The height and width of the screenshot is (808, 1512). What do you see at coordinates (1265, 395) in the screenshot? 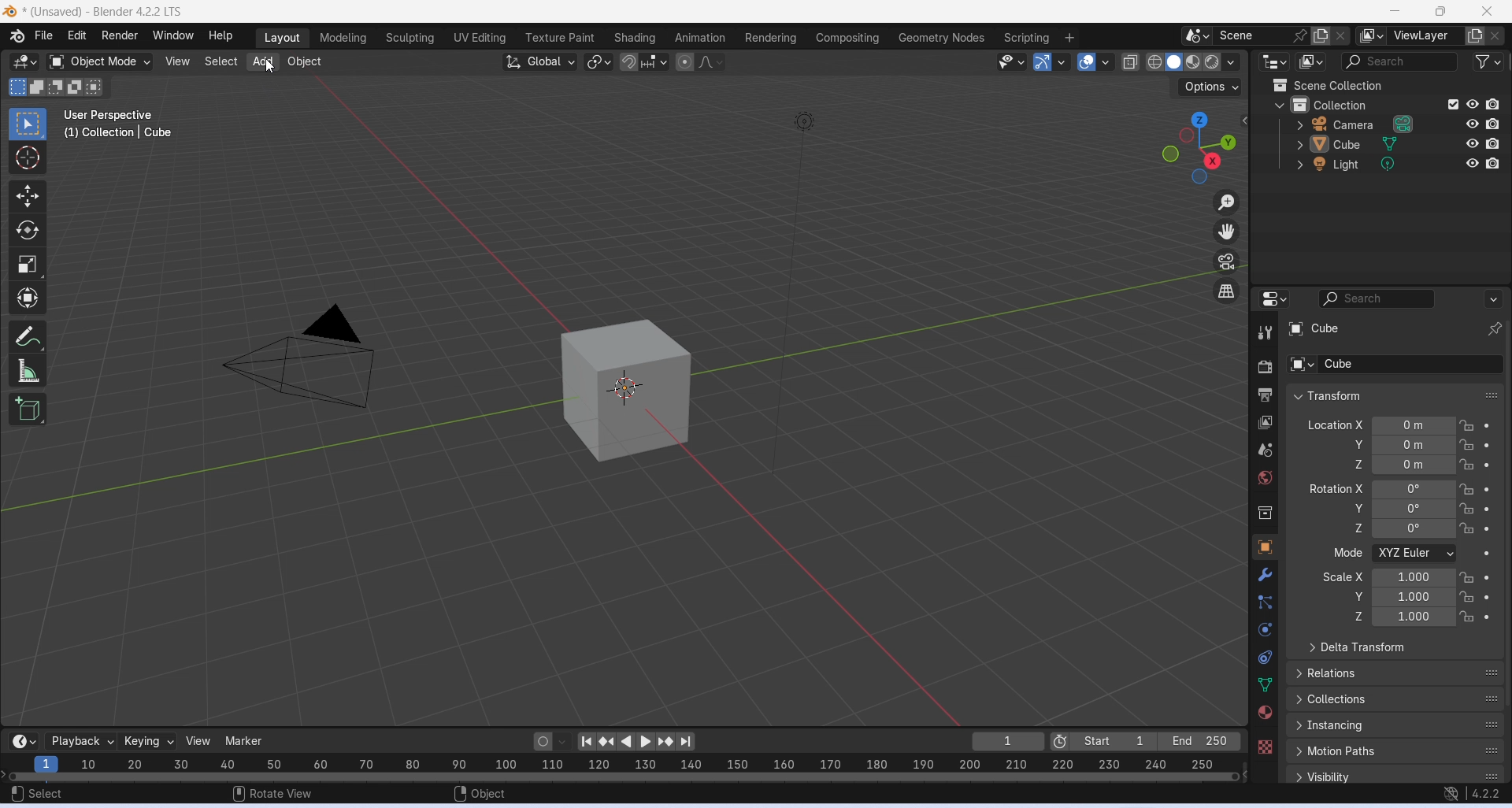
I see `output` at bounding box center [1265, 395].